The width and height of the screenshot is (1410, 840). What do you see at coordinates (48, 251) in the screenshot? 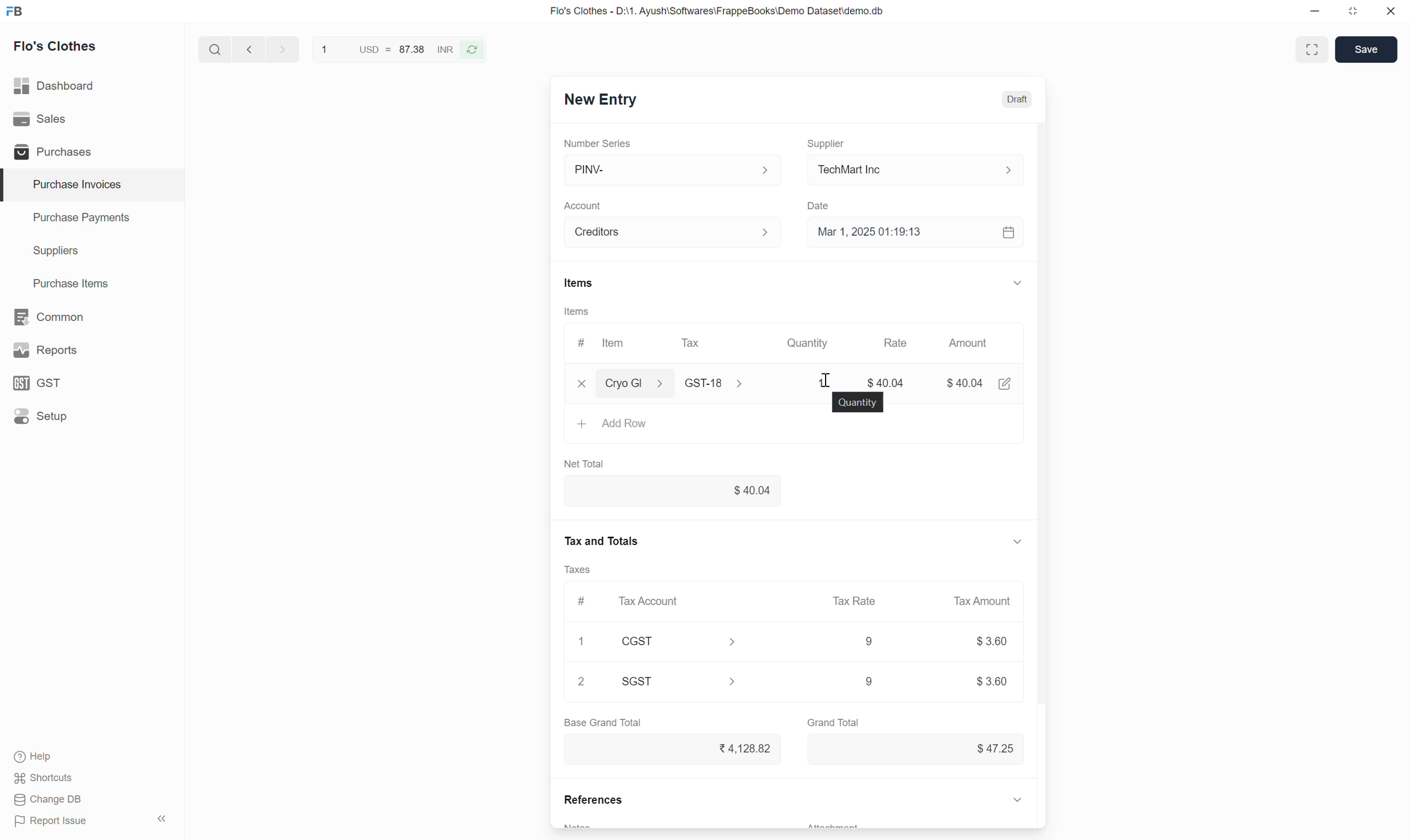
I see `Suppliers` at bounding box center [48, 251].